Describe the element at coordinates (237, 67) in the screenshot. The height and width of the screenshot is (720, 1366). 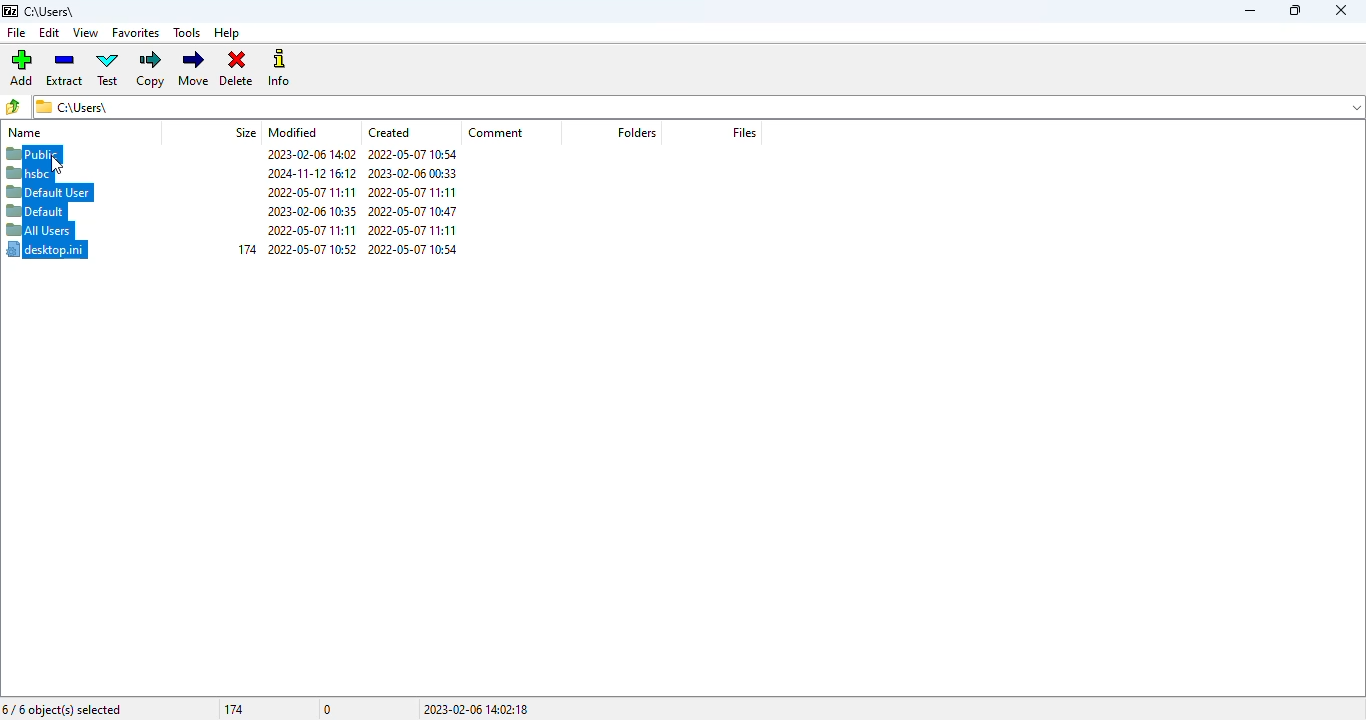
I see `delete` at that location.